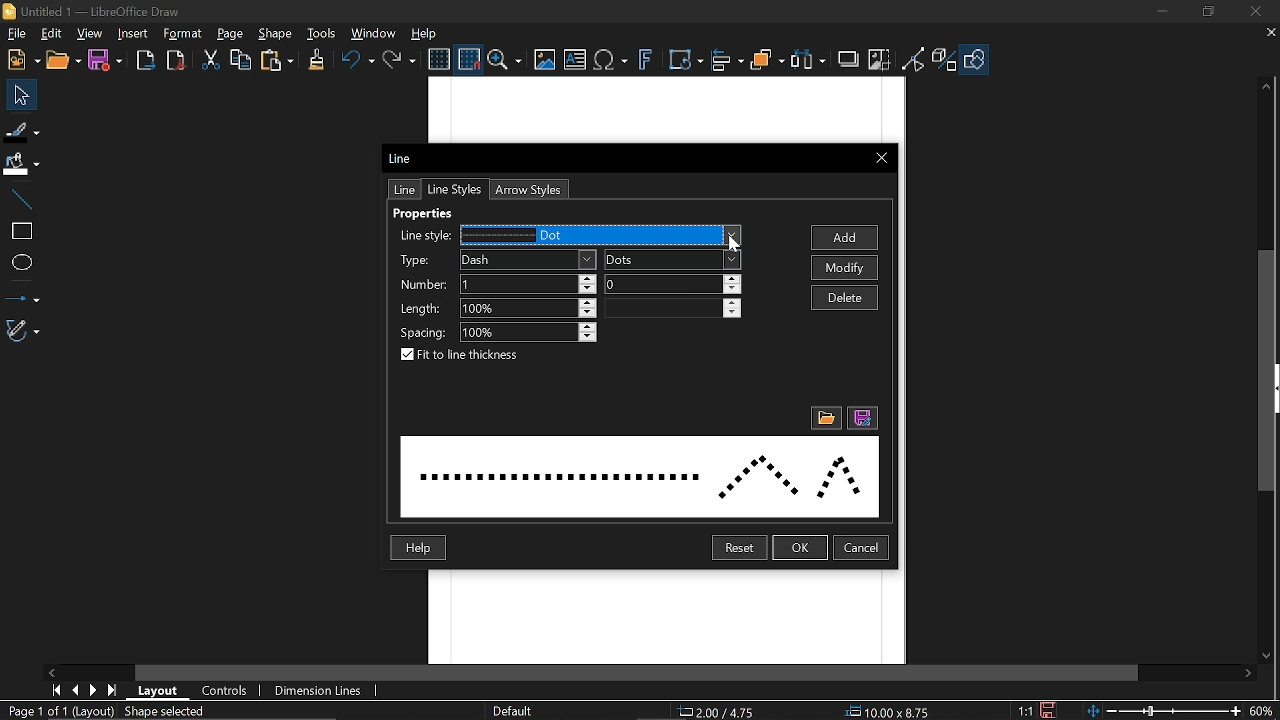 The width and height of the screenshot is (1280, 720). Describe the element at coordinates (318, 58) in the screenshot. I see `CLone` at that location.